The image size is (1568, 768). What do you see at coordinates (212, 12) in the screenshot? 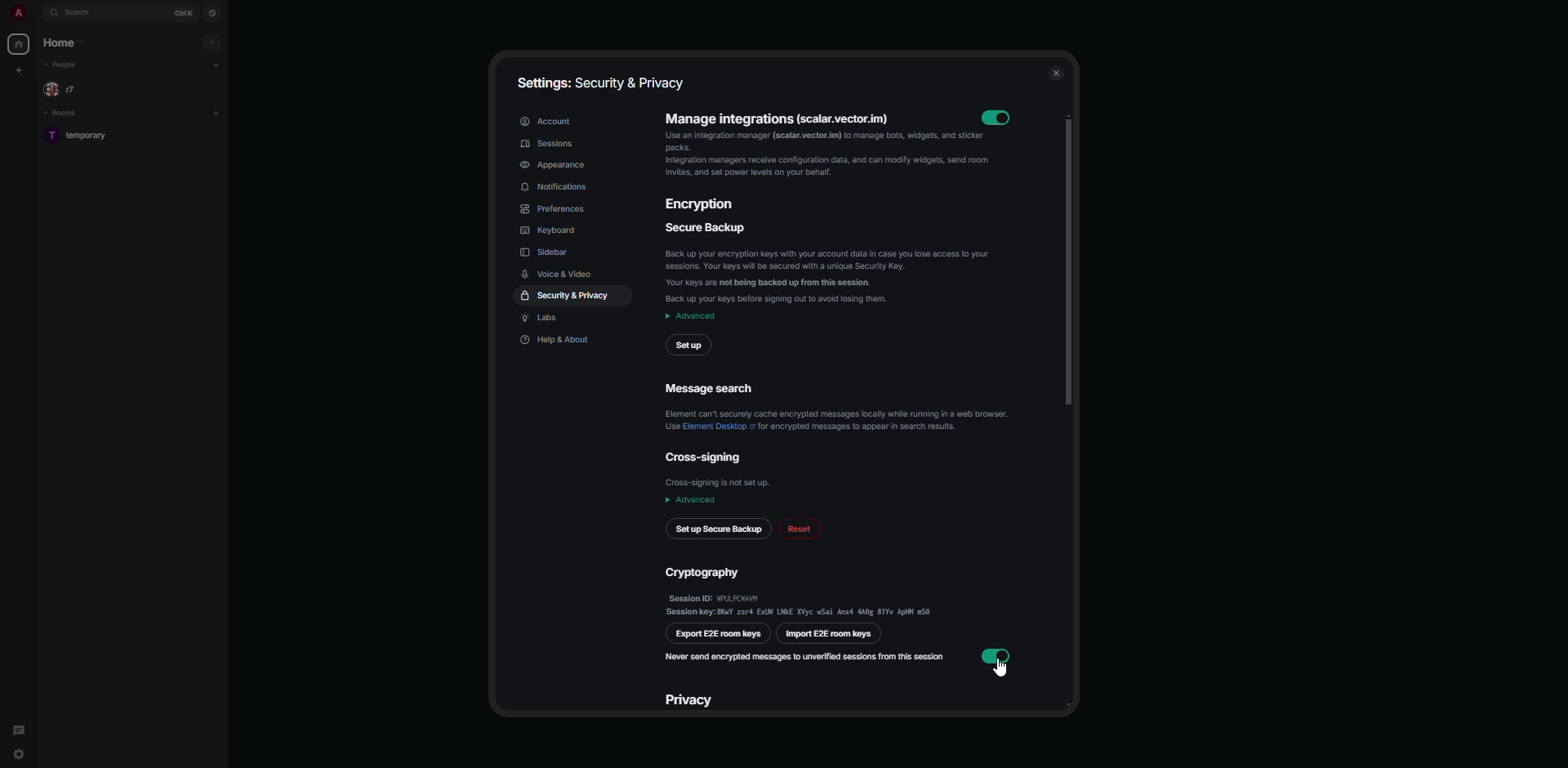
I see `navigator` at bounding box center [212, 12].